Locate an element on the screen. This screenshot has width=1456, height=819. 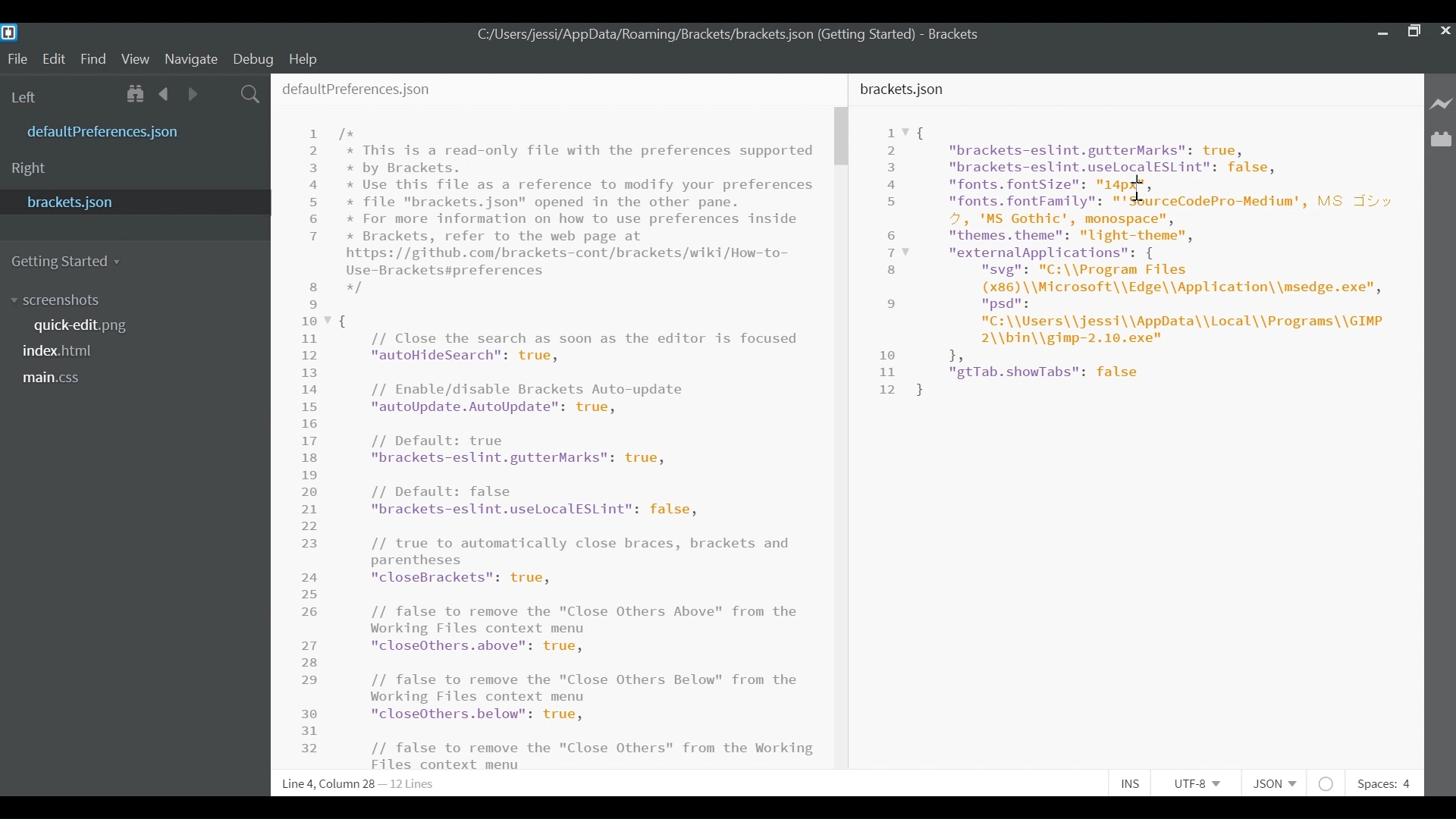
screenshot is located at coordinates (75, 301).